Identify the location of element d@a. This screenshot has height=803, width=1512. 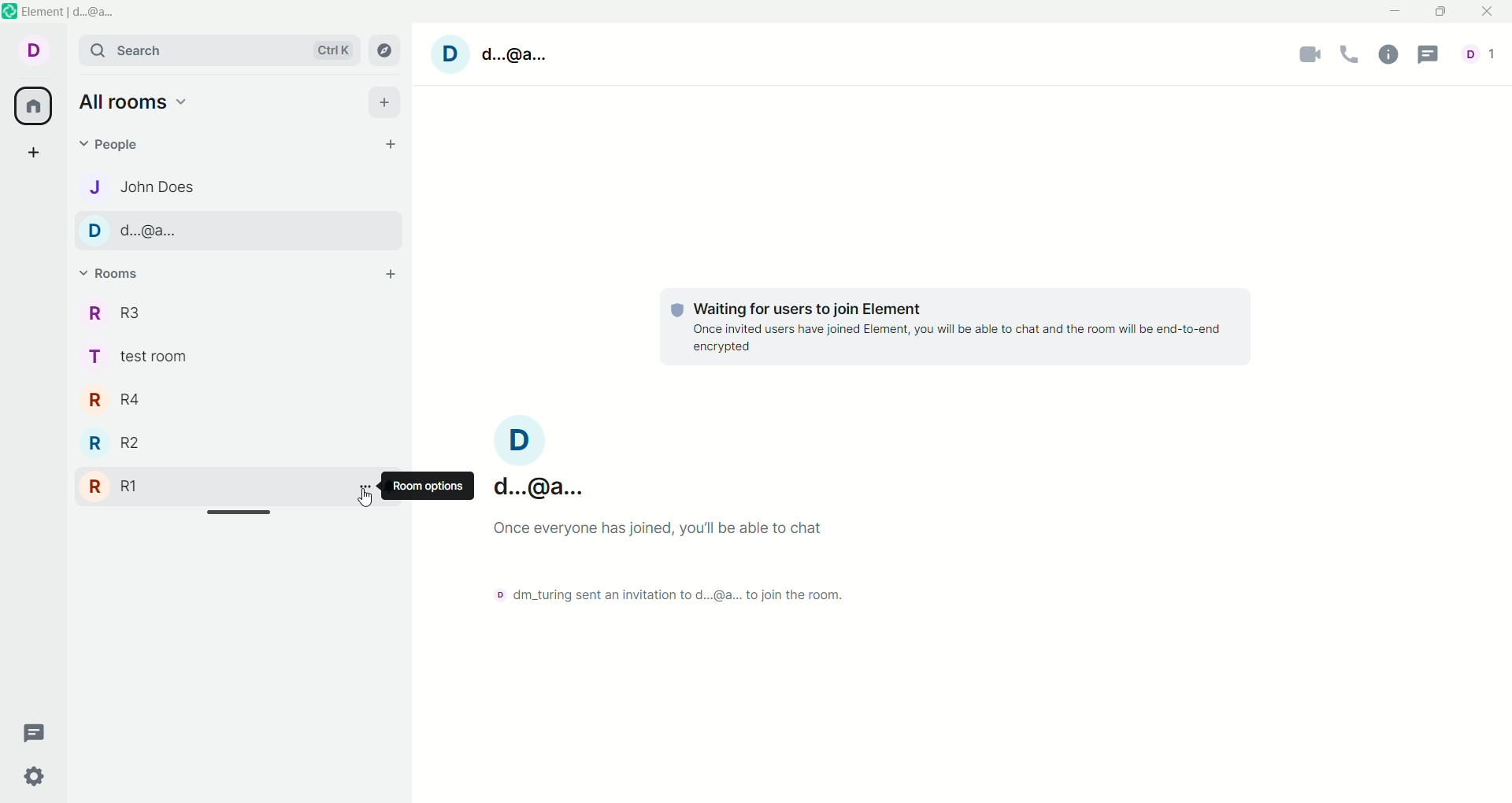
(76, 13).